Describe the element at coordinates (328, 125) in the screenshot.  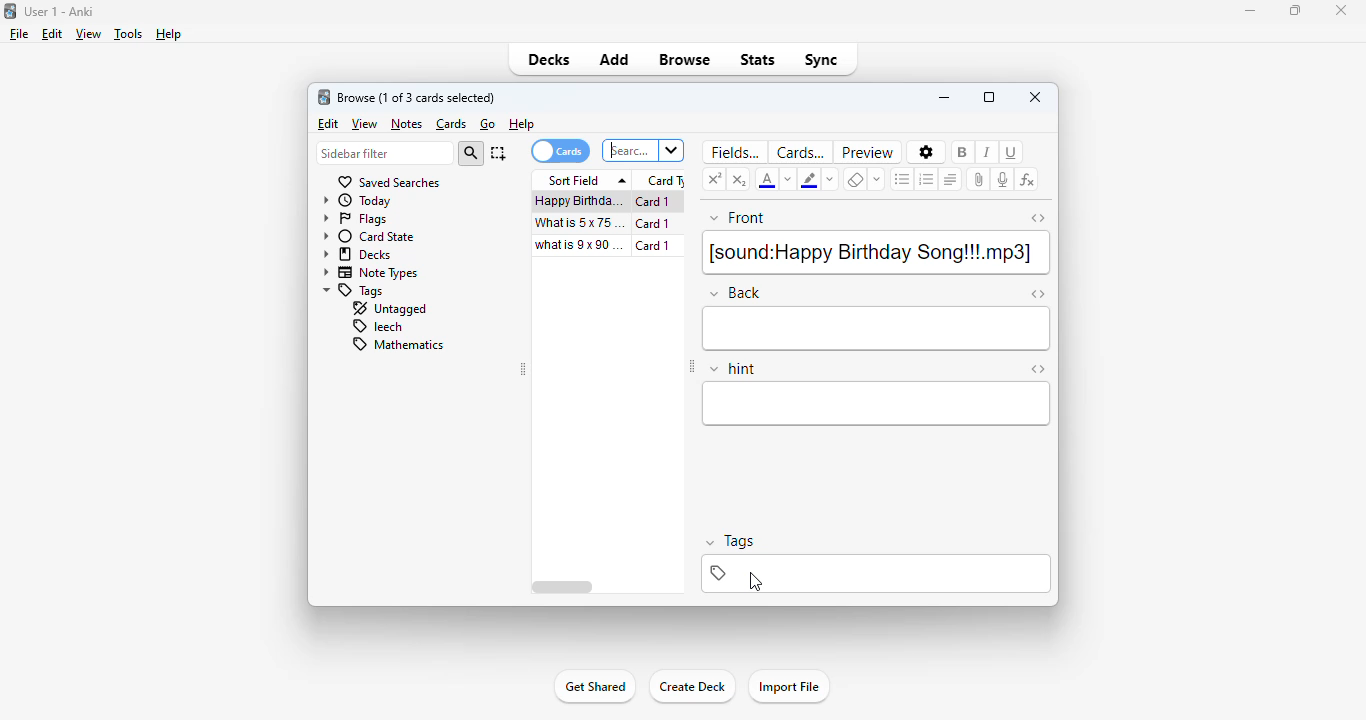
I see `edit` at that location.